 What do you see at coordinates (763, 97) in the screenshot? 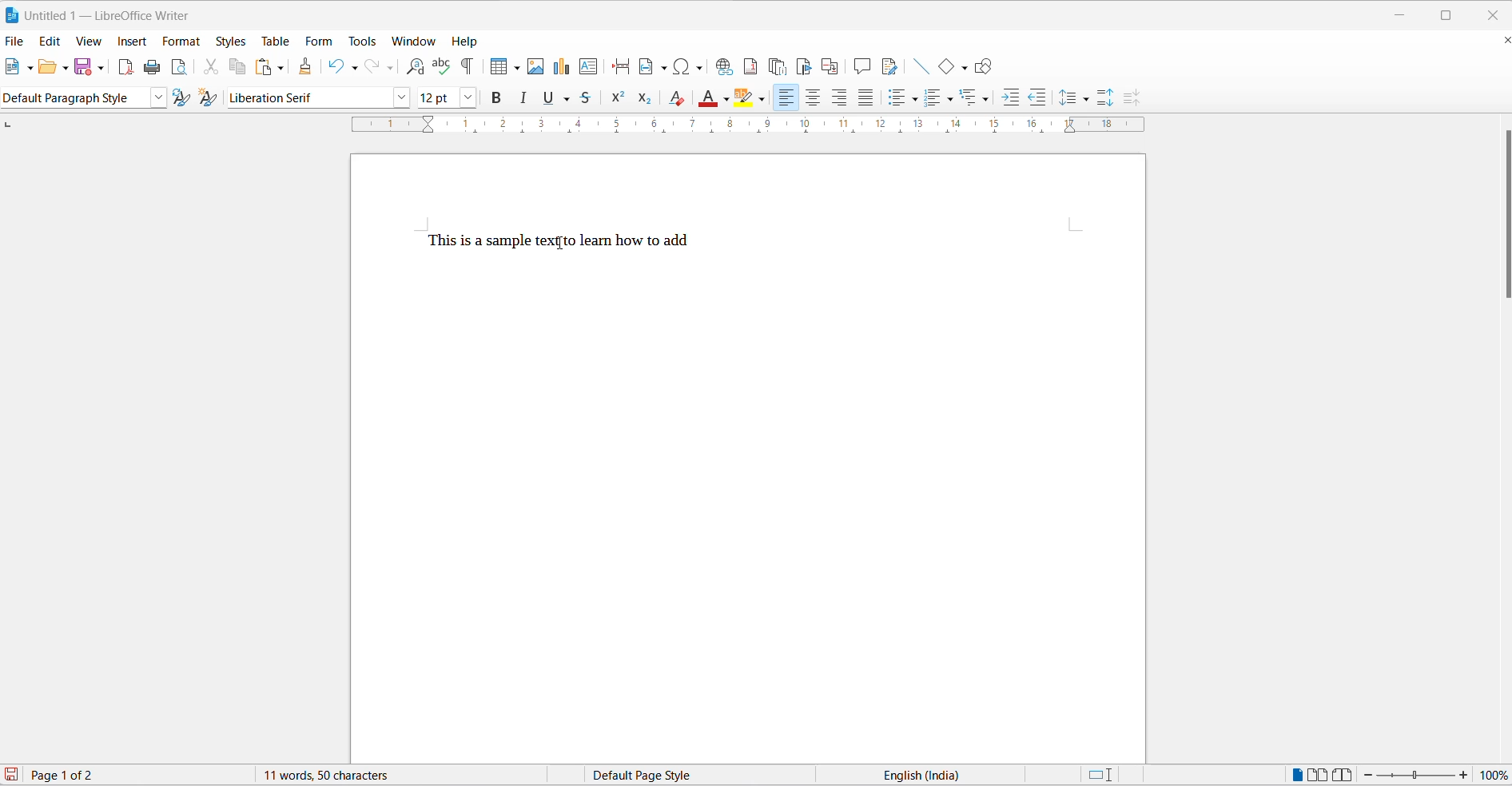
I see `character highlight color` at bounding box center [763, 97].